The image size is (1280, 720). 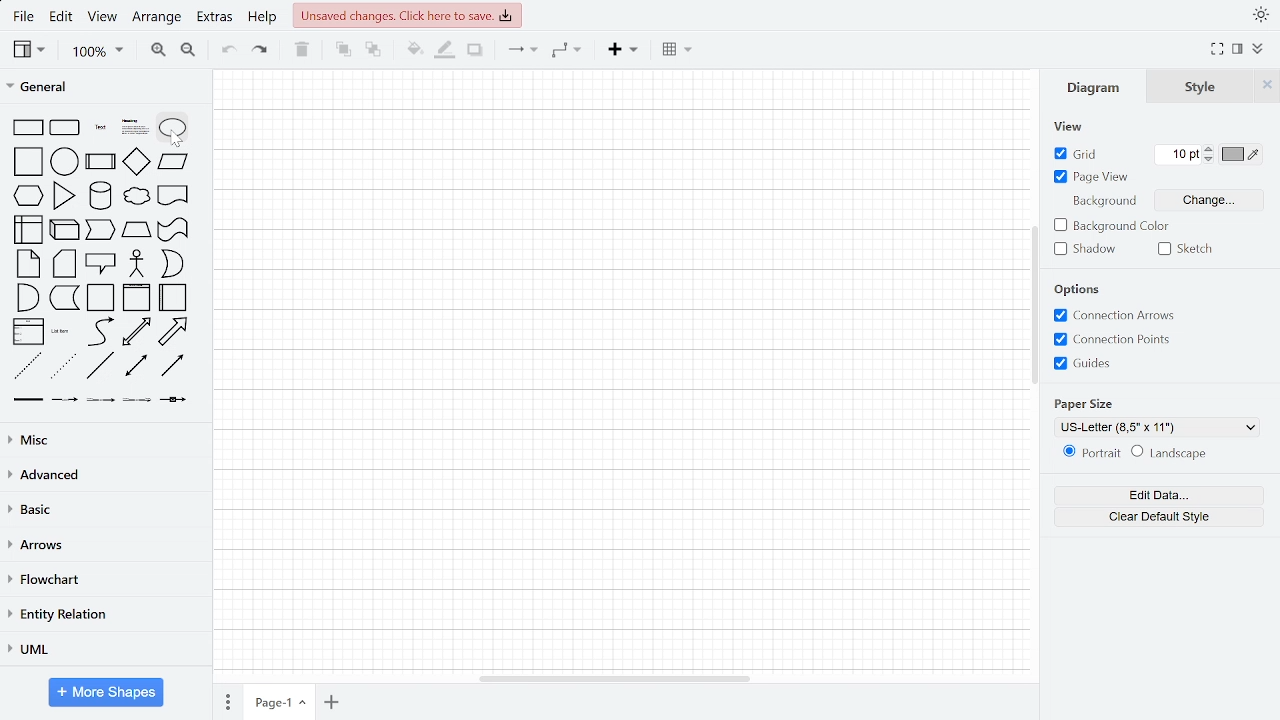 I want to click on diamond, so click(x=138, y=163).